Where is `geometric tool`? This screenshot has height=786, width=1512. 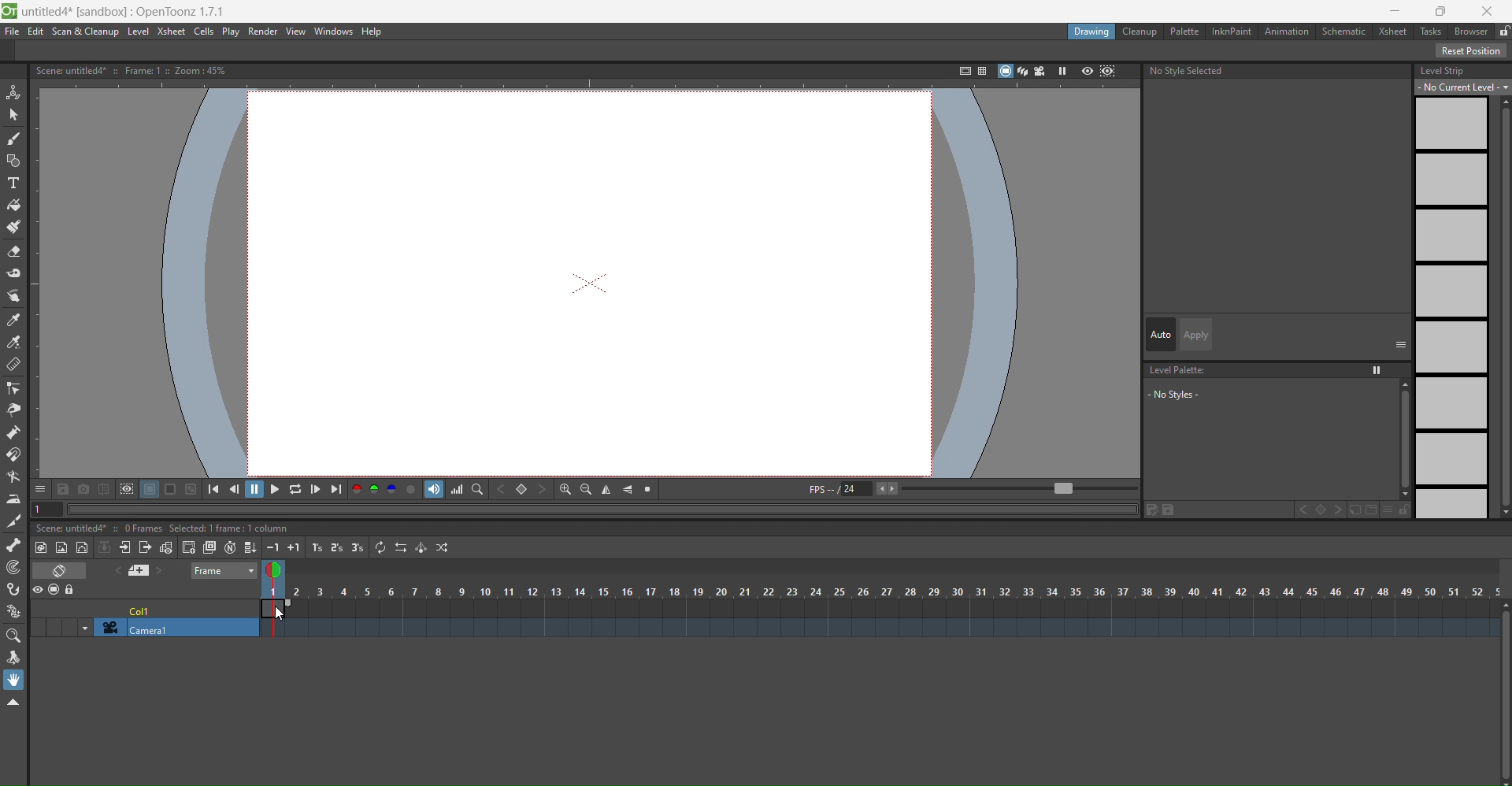
geometric tool is located at coordinates (13, 162).